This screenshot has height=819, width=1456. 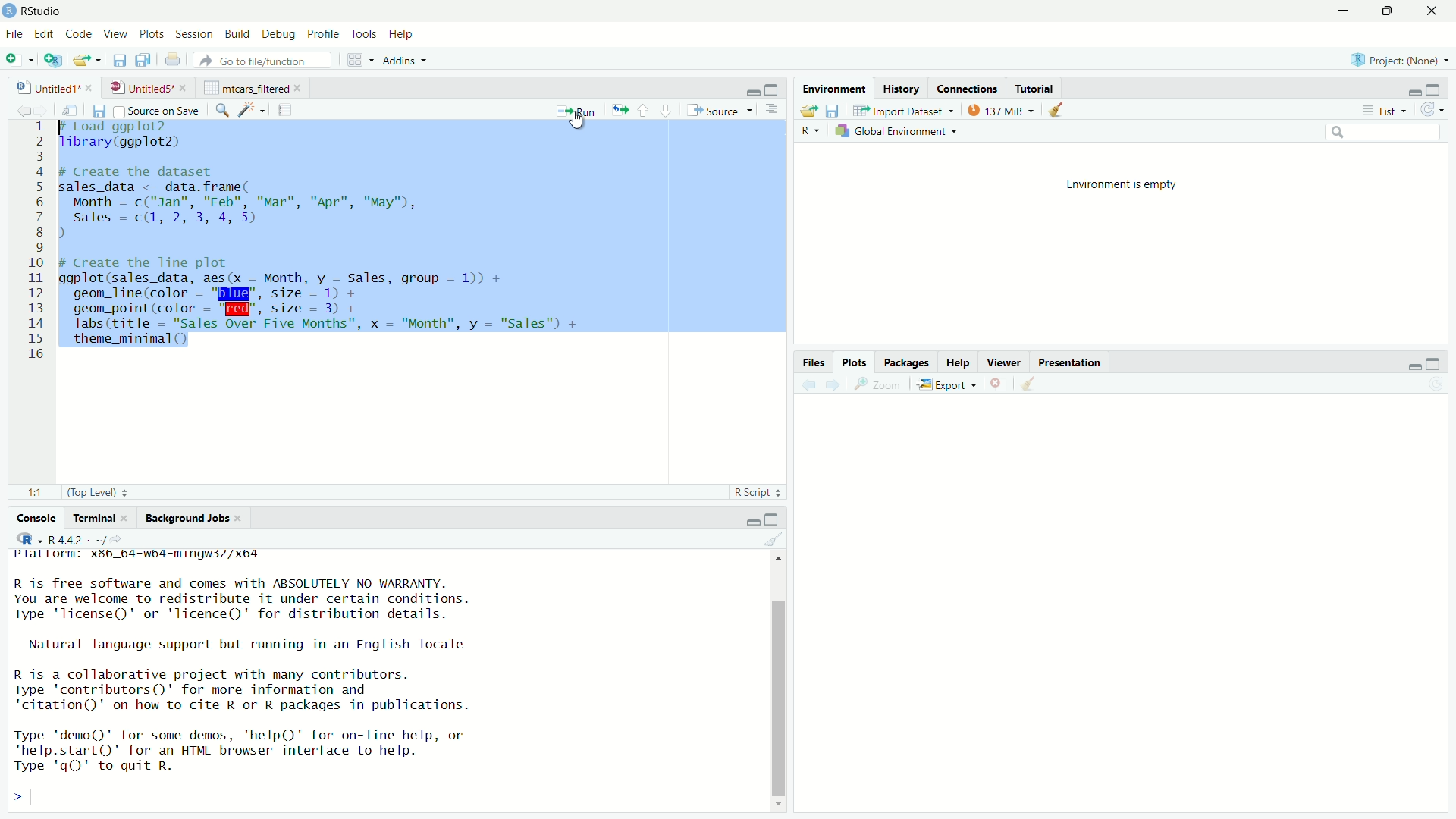 What do you see at coordinates (29, 538) in the screenshot?
I see `R` at bounding box center [29, 538].